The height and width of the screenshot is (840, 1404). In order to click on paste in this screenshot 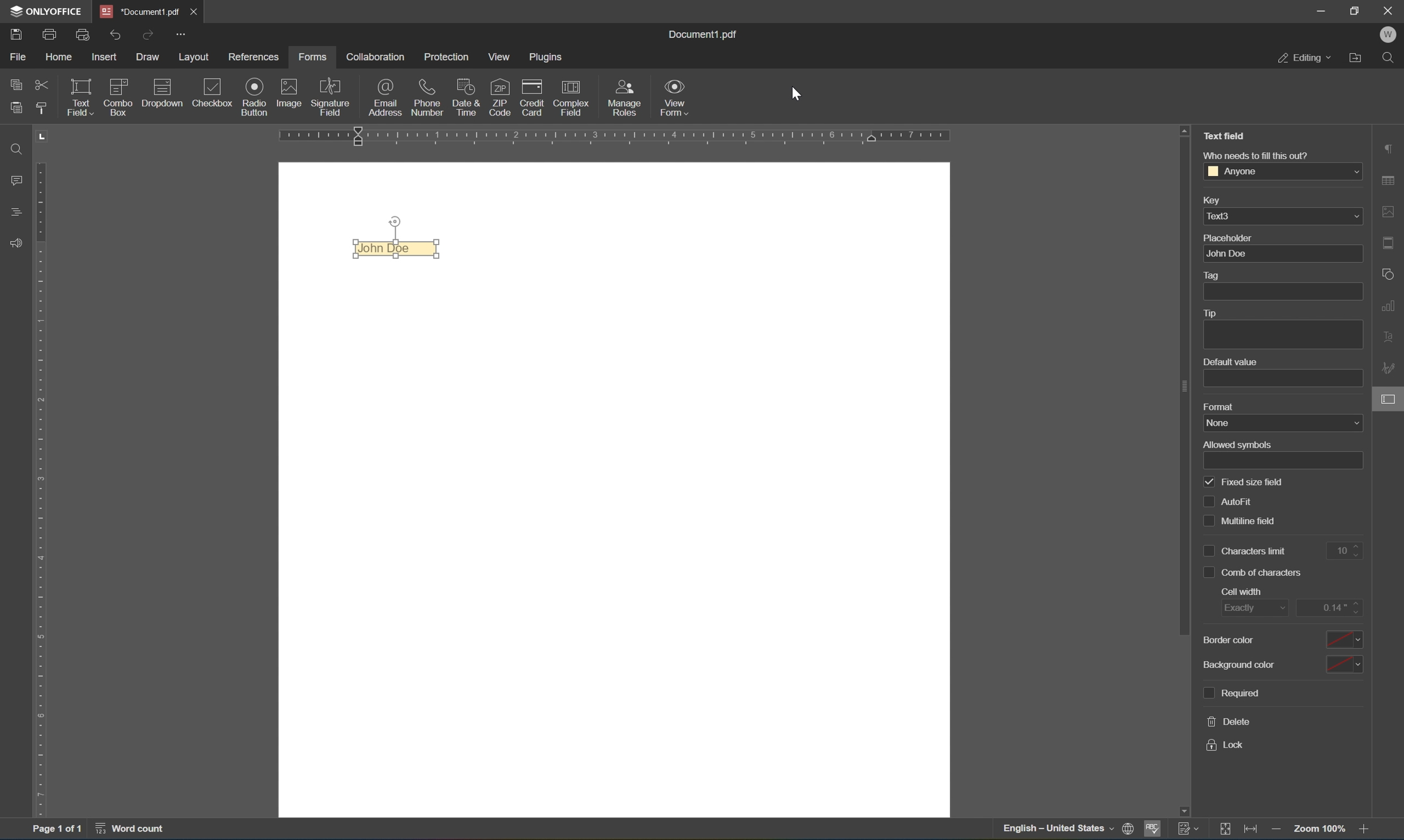, I will do `click(16, 109)`.